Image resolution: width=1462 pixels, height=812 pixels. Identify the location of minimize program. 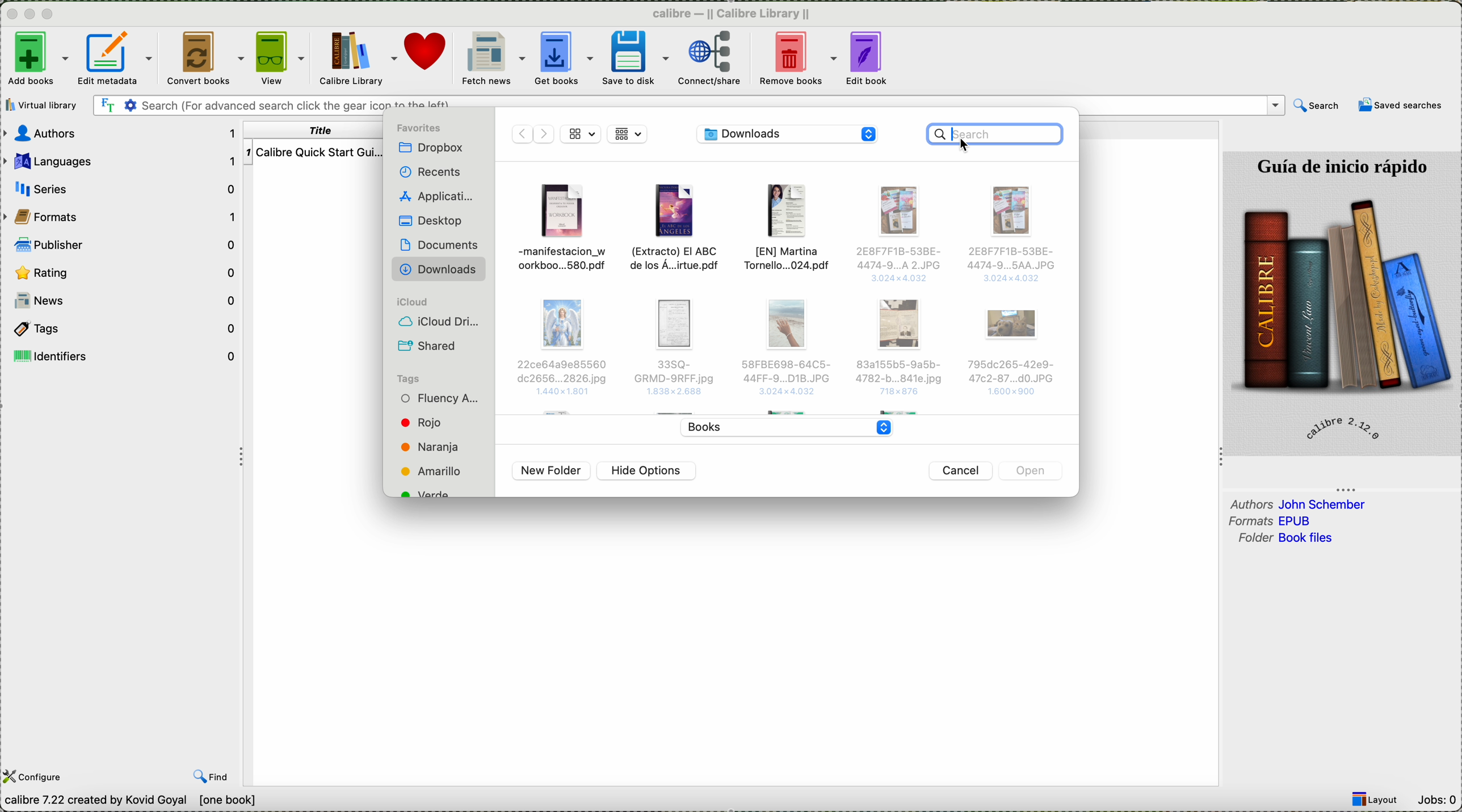
(32, 15).